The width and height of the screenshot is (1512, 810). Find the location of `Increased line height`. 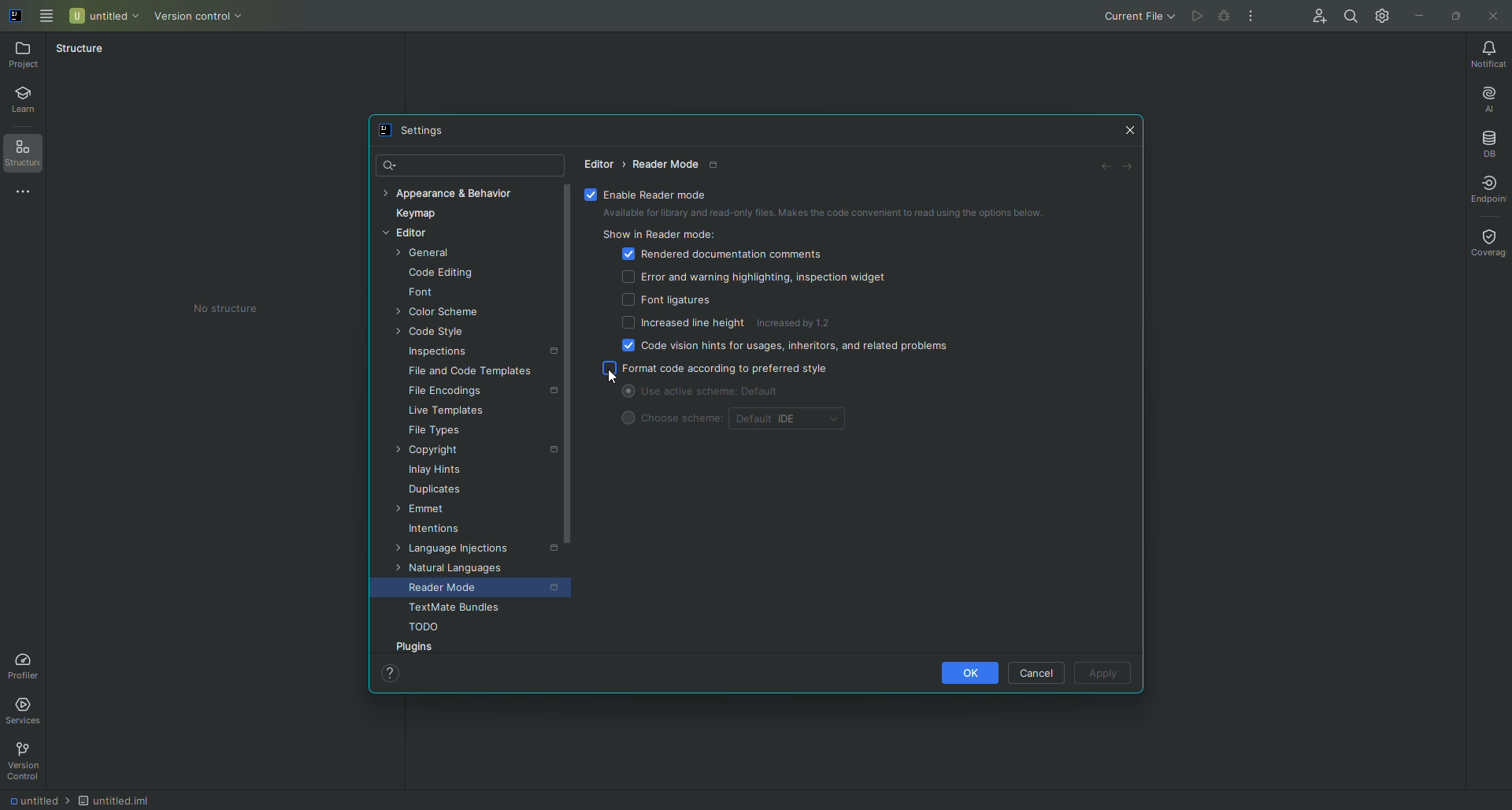

Increased line height is located at coordinates (677, 325).